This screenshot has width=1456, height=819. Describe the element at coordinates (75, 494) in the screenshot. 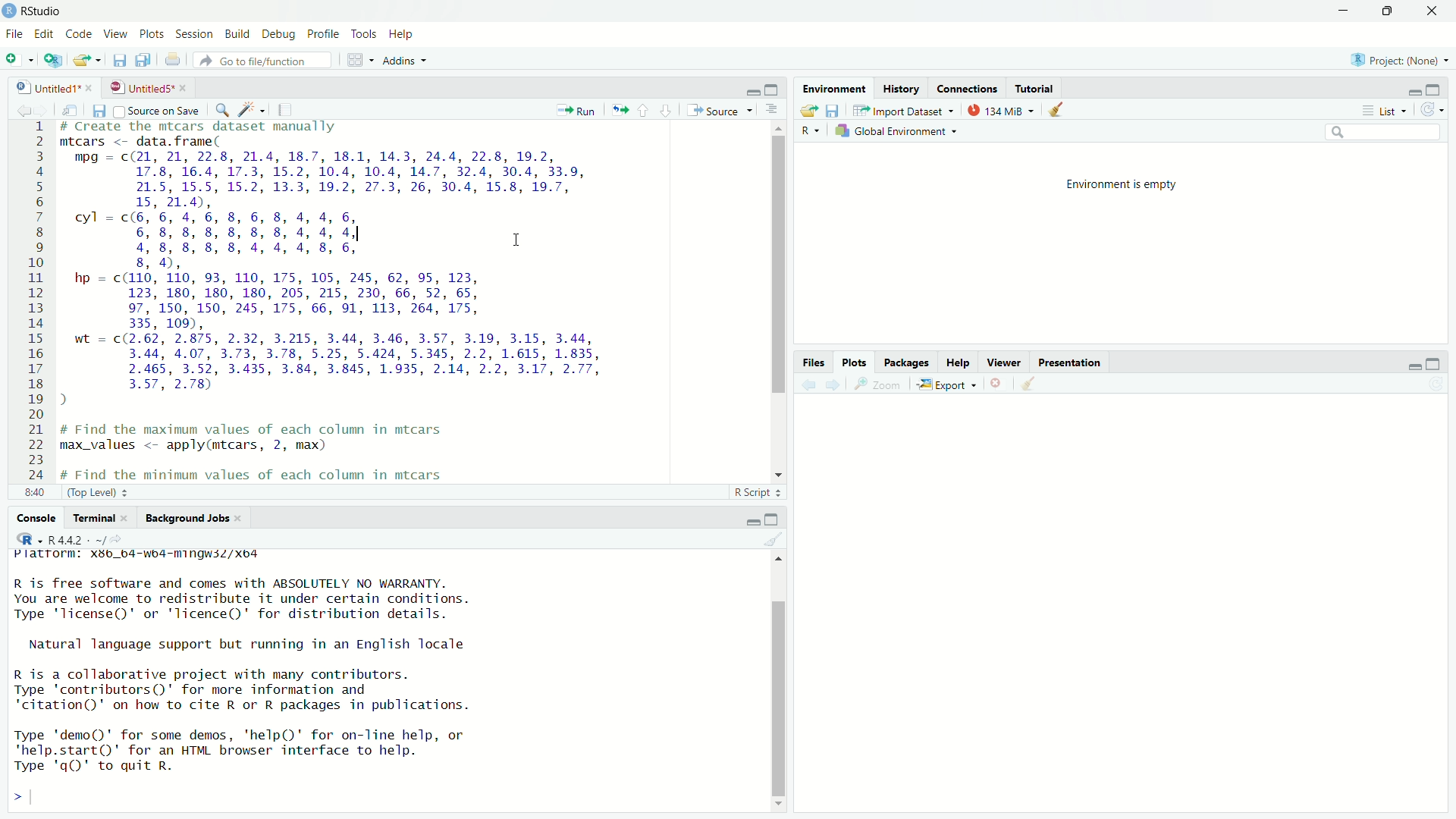

I see `30:1 (Top Level) +` at that location.